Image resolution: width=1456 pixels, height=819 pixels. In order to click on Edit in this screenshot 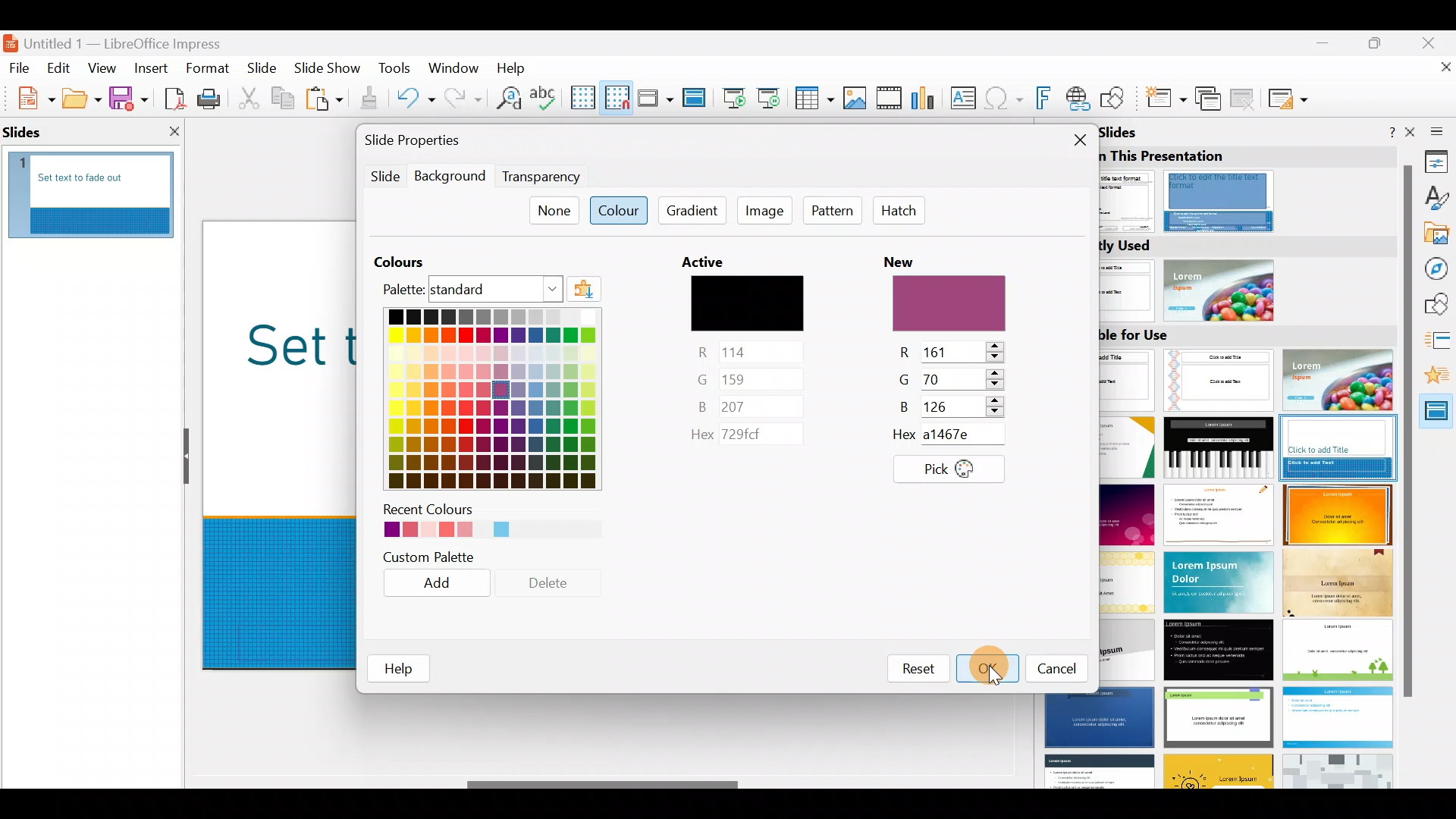, I will do `click(61, 68)`.